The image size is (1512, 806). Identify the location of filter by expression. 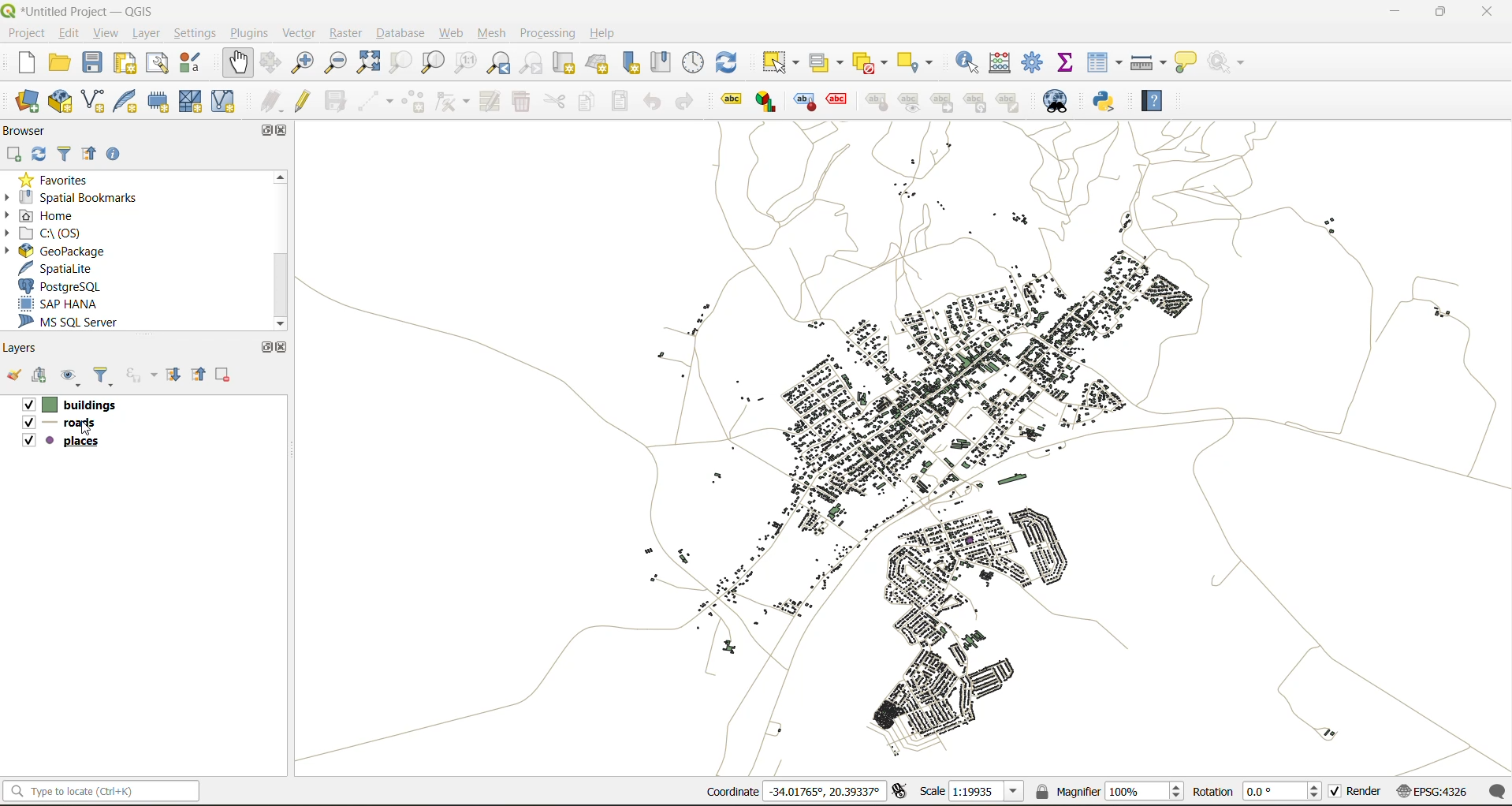
(145, 375).